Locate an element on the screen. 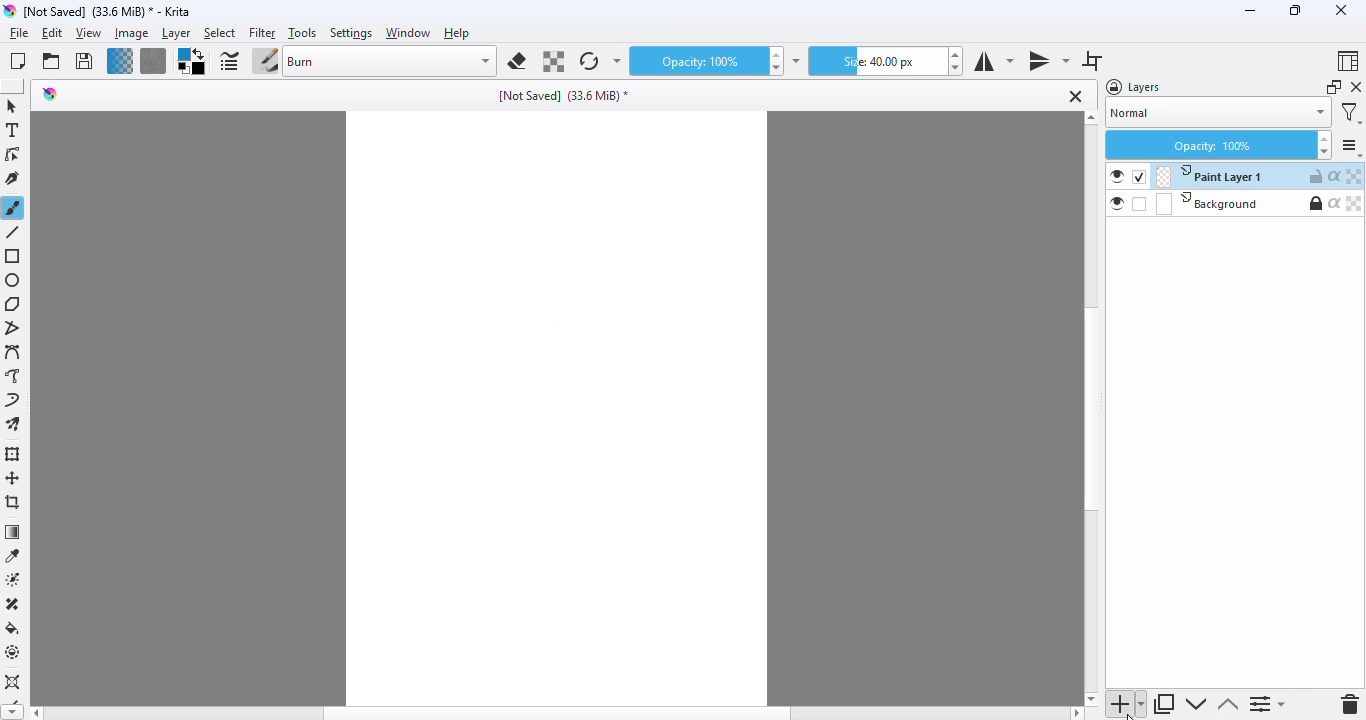  reload original preset is located at coordinates (588, 61).